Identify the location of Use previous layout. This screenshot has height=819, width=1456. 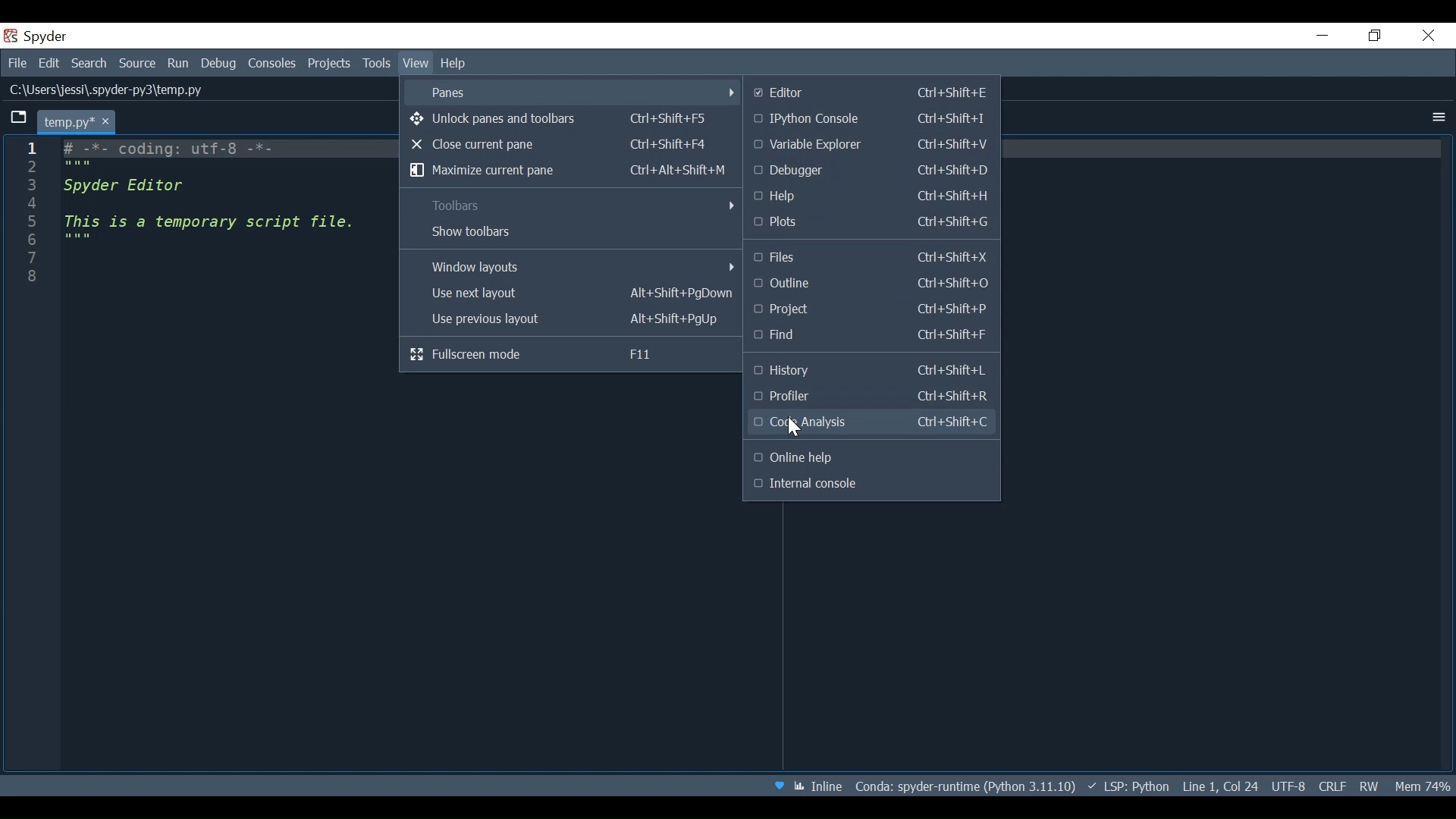
(570, 320).